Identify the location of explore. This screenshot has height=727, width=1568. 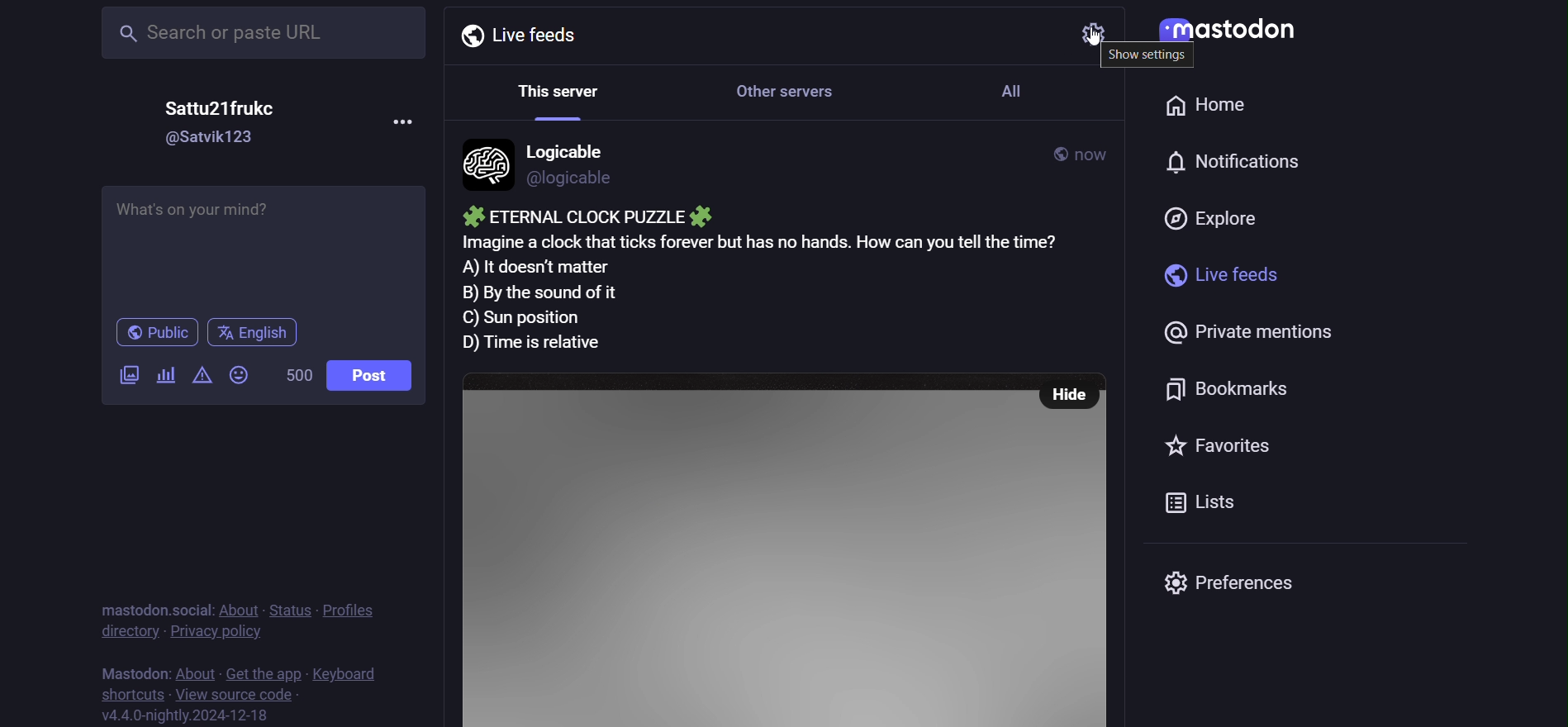
(1218, 214).